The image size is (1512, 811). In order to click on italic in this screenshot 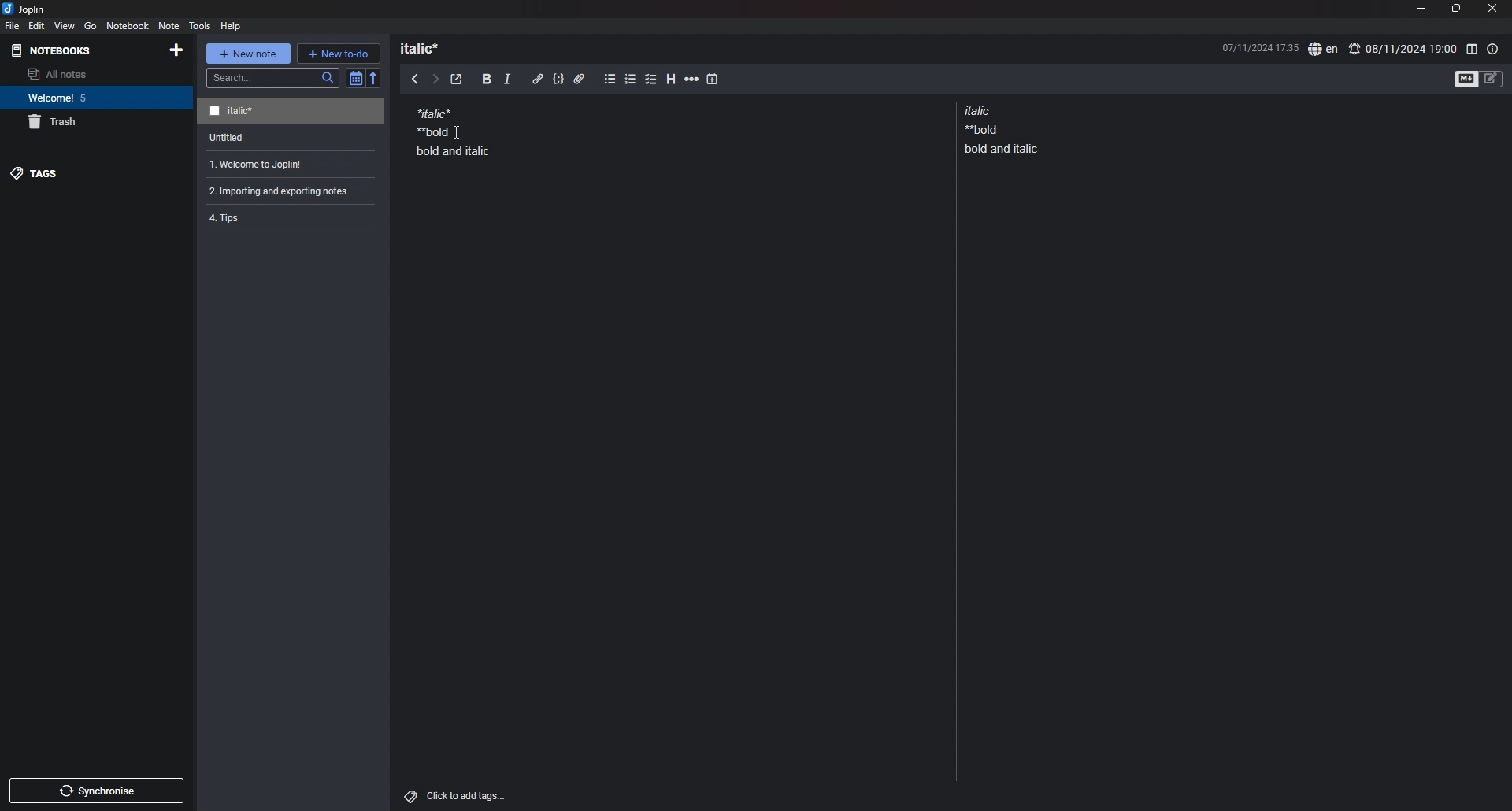, I will do `click(507, 82)`.